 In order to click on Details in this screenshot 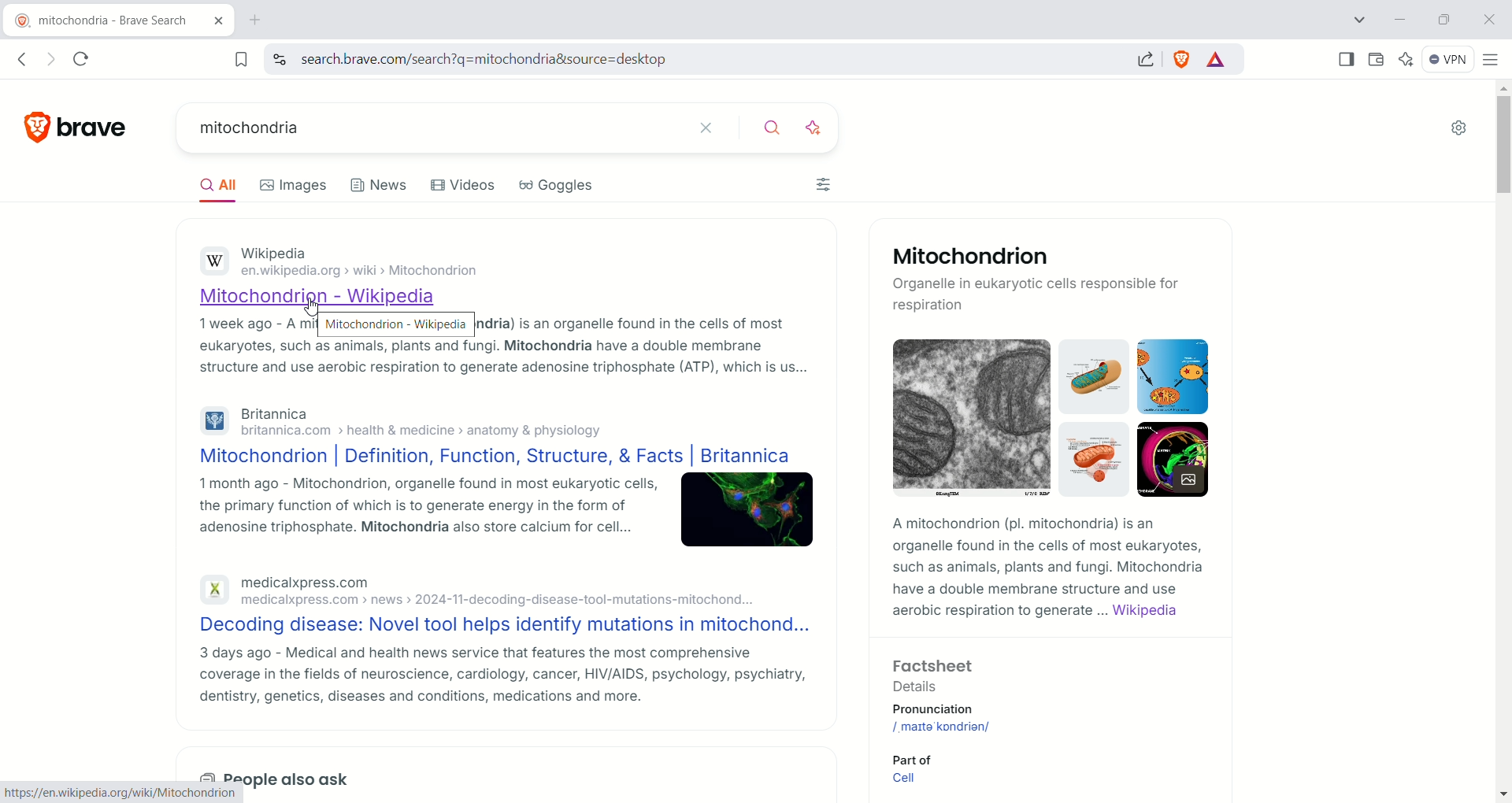, I will do `click(917, 686)`.